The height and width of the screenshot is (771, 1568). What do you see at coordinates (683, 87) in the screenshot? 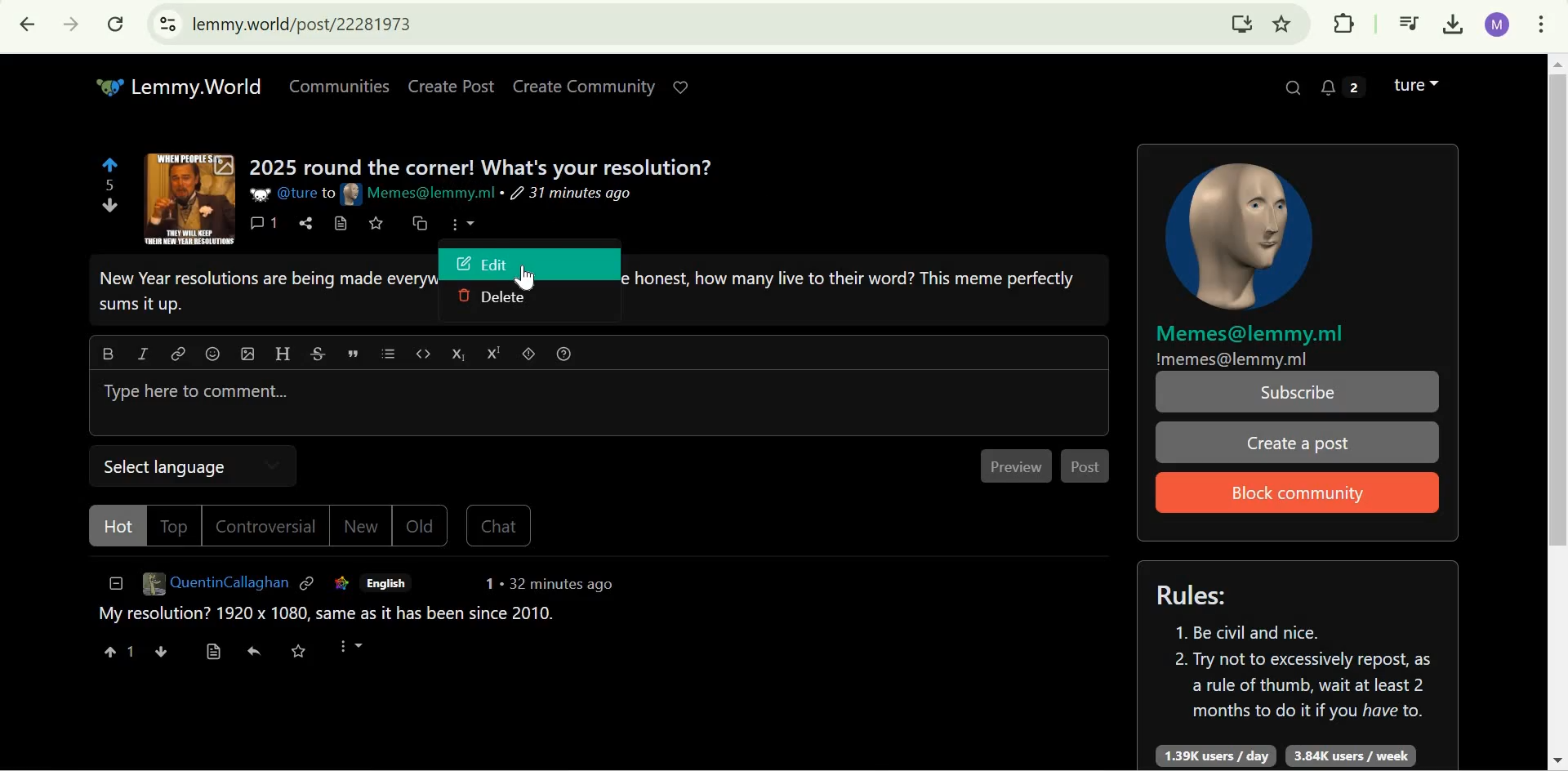
I see `Support Lemmy` at bounding box center [683, 87].